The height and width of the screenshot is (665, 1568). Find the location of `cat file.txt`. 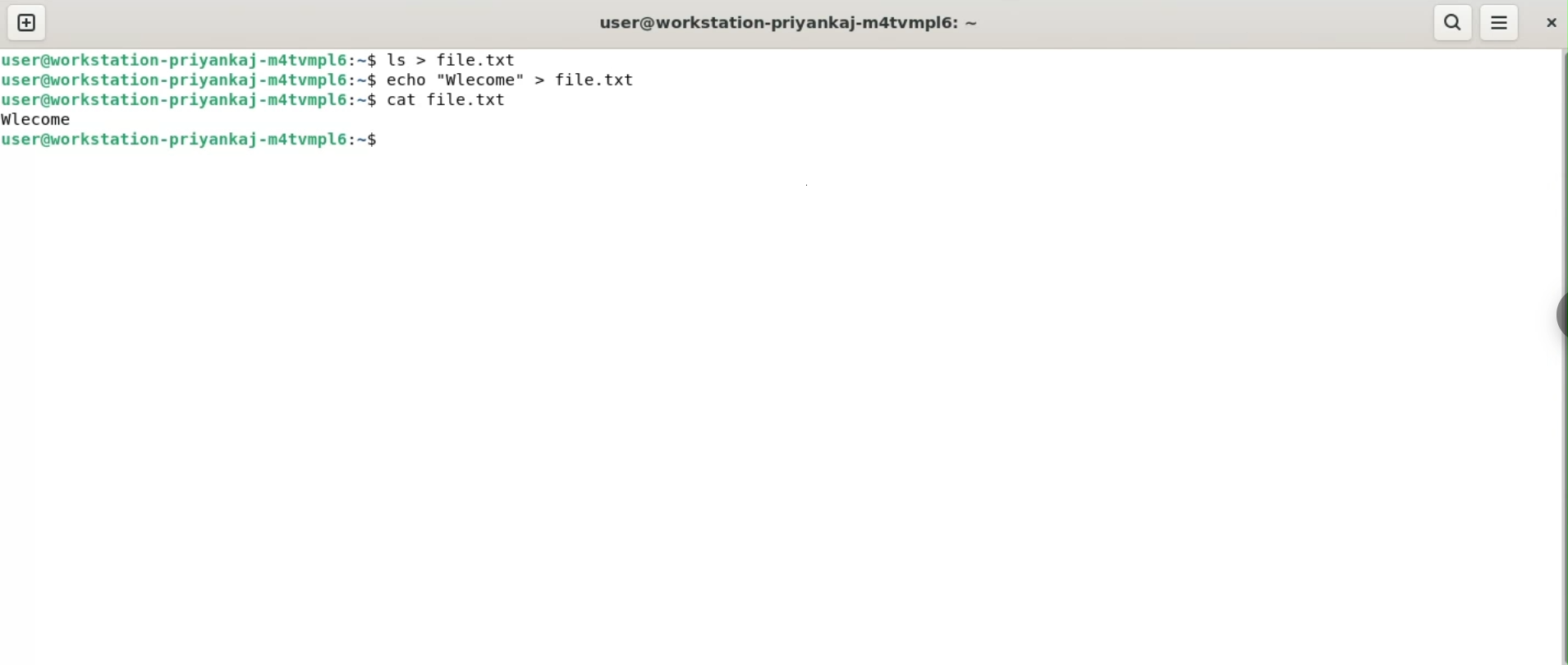

cat file.txt is located at coordinates (457, 105).